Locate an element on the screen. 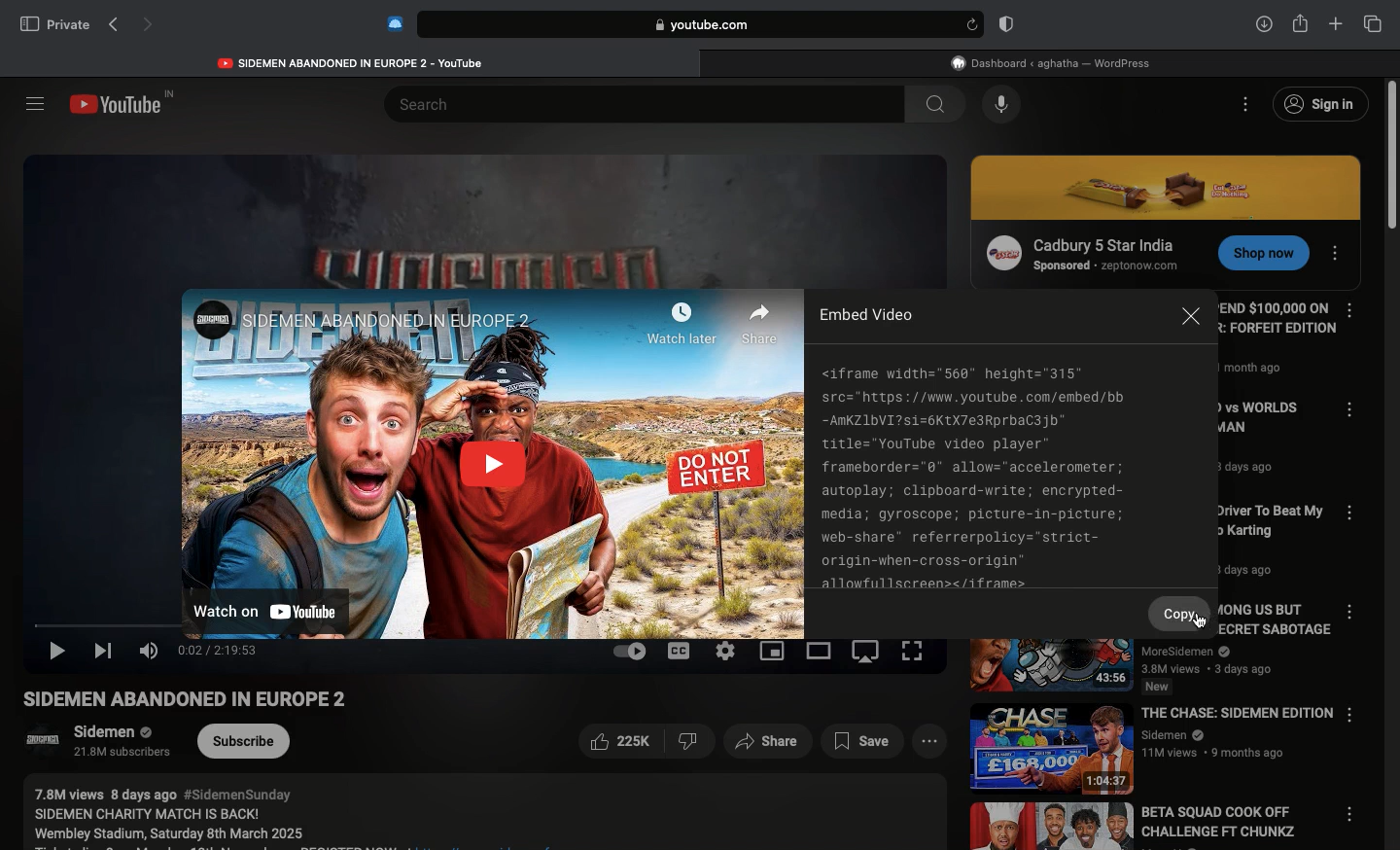 The width and height of the screenshot is (1400, 850). Options is located at coordinates (1355, 614).